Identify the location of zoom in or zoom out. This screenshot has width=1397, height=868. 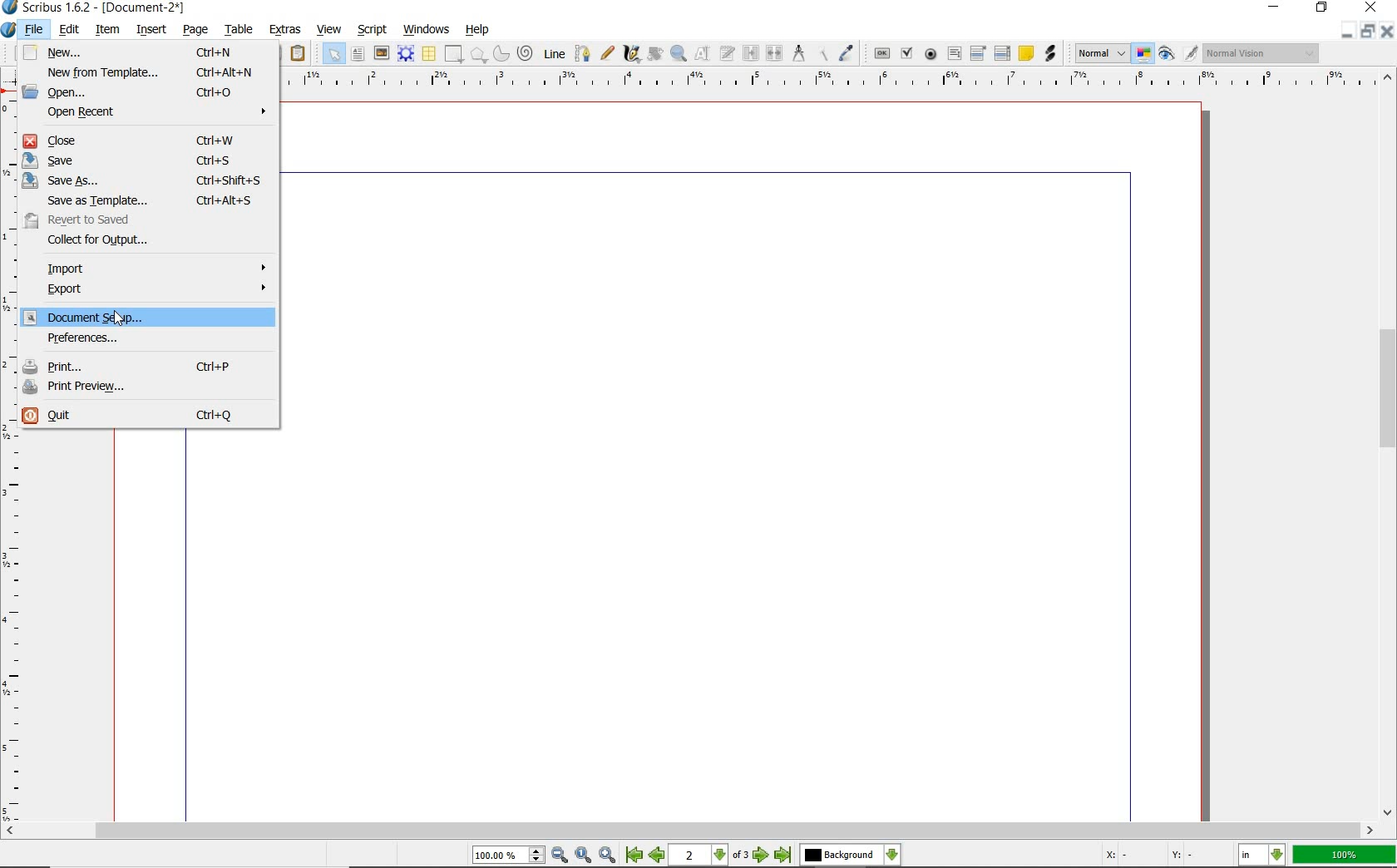
(679, 55).